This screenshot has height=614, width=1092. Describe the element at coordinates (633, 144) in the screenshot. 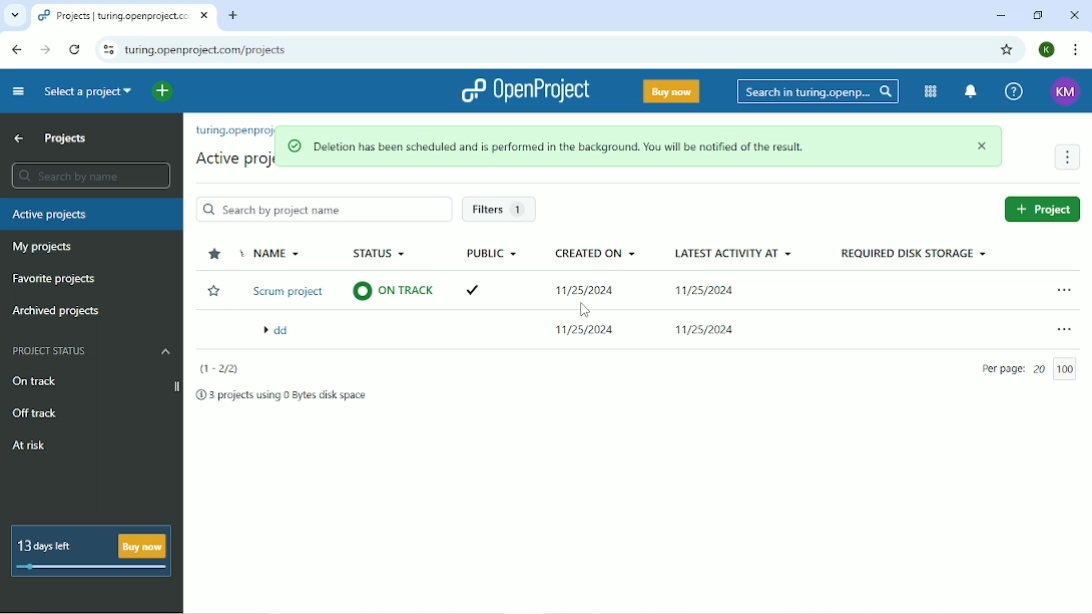

I see `Deletion has been scheduled and is performed in the background. You will ne notified of the result. ` at that location.